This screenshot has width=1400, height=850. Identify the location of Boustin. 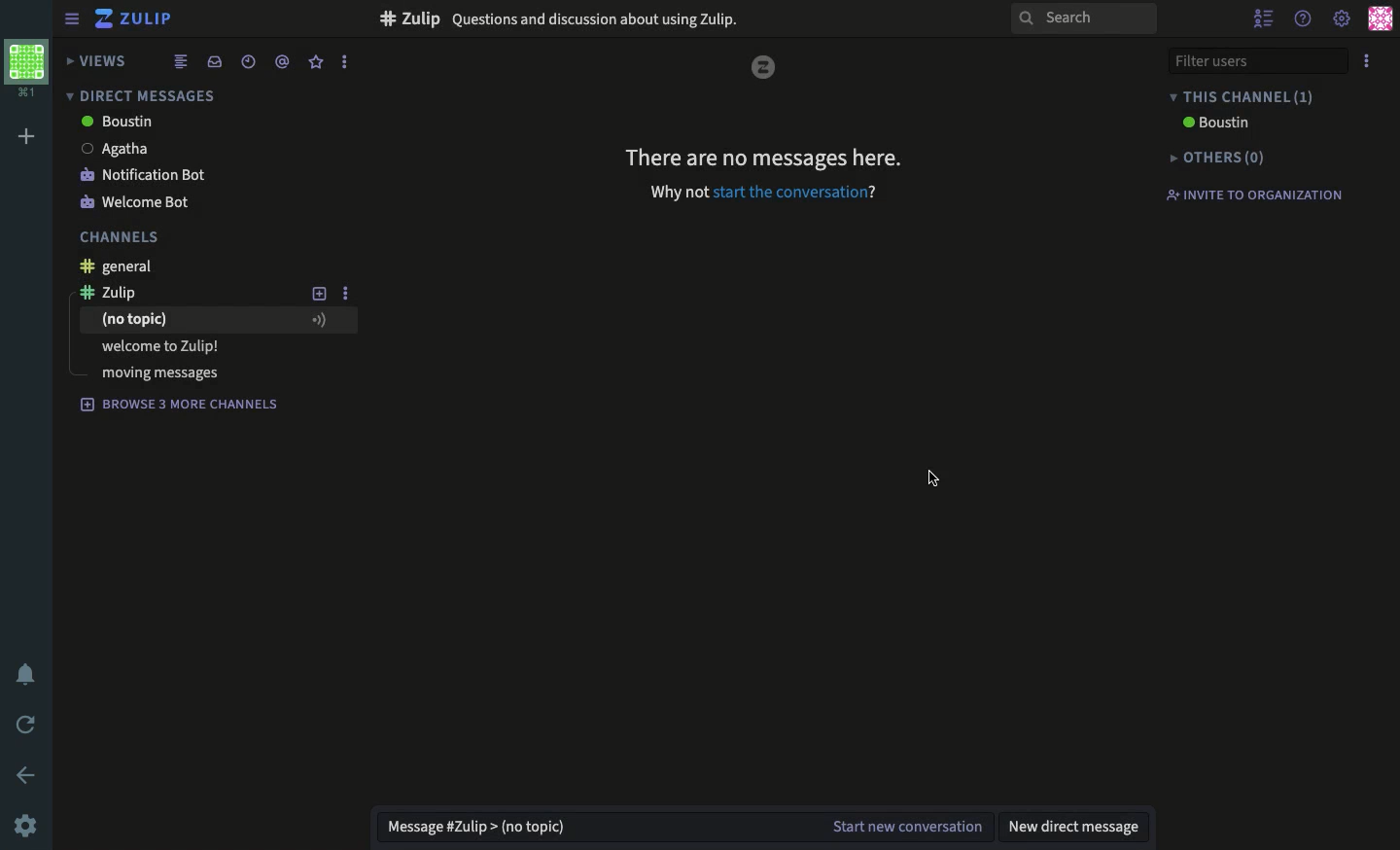
(114, 123).